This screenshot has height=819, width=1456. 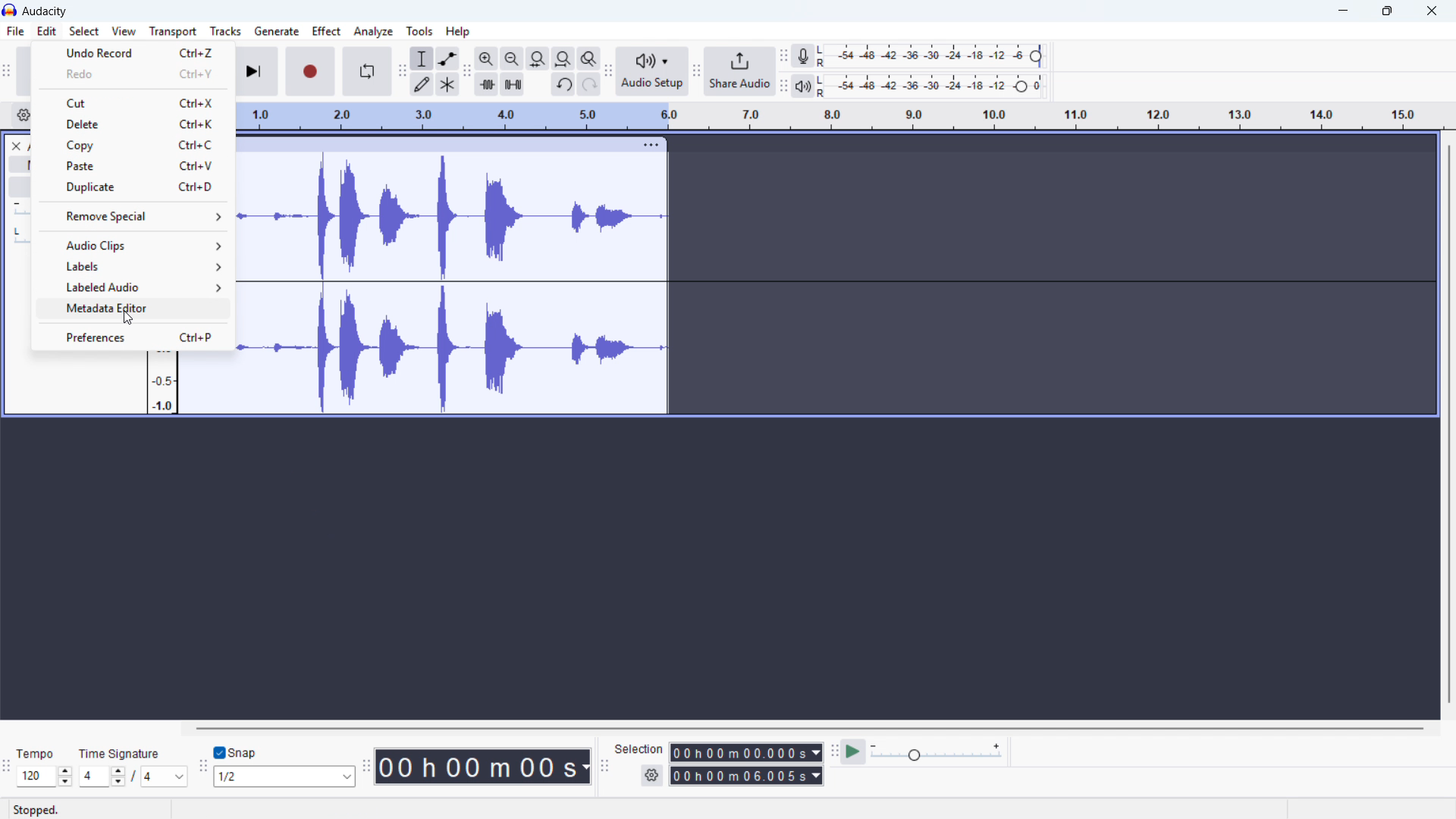 I want to click on selection settings, so click(x=652, y=776).